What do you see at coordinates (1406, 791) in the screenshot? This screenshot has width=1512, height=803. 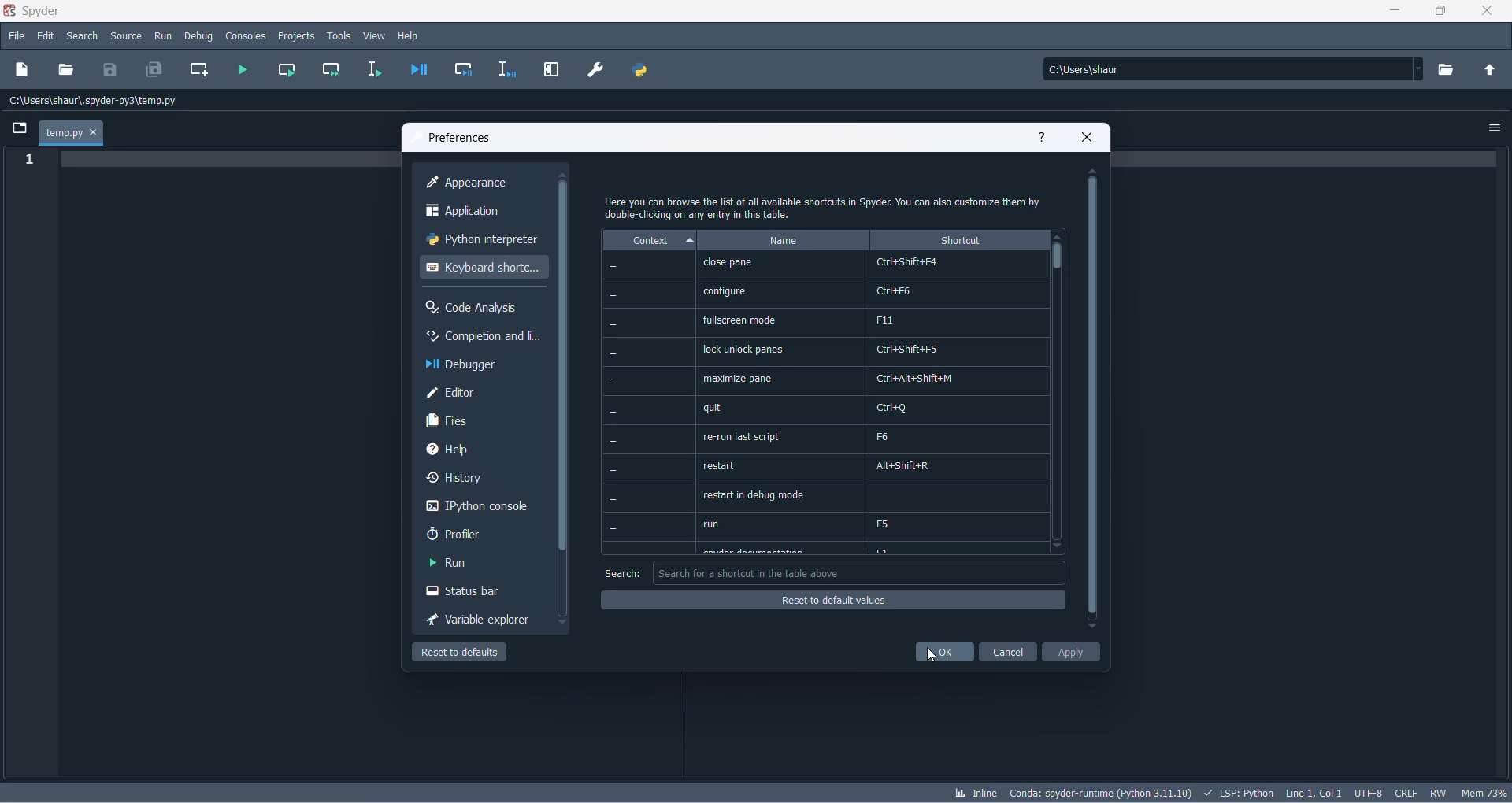 I see `file EOL status` at bounding box center [1406, 791].